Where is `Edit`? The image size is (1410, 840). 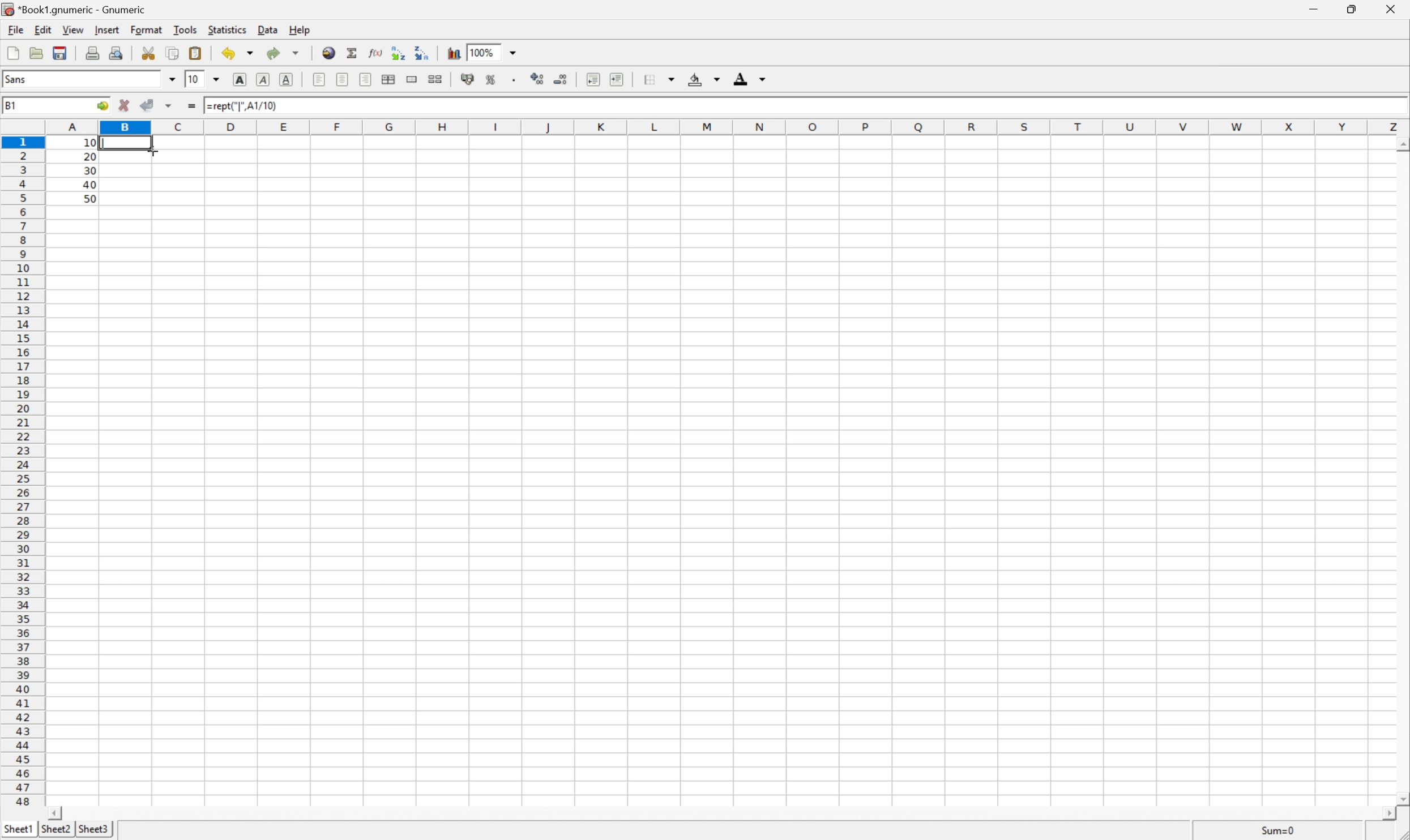 Edit is located at coordinates (42, 29).